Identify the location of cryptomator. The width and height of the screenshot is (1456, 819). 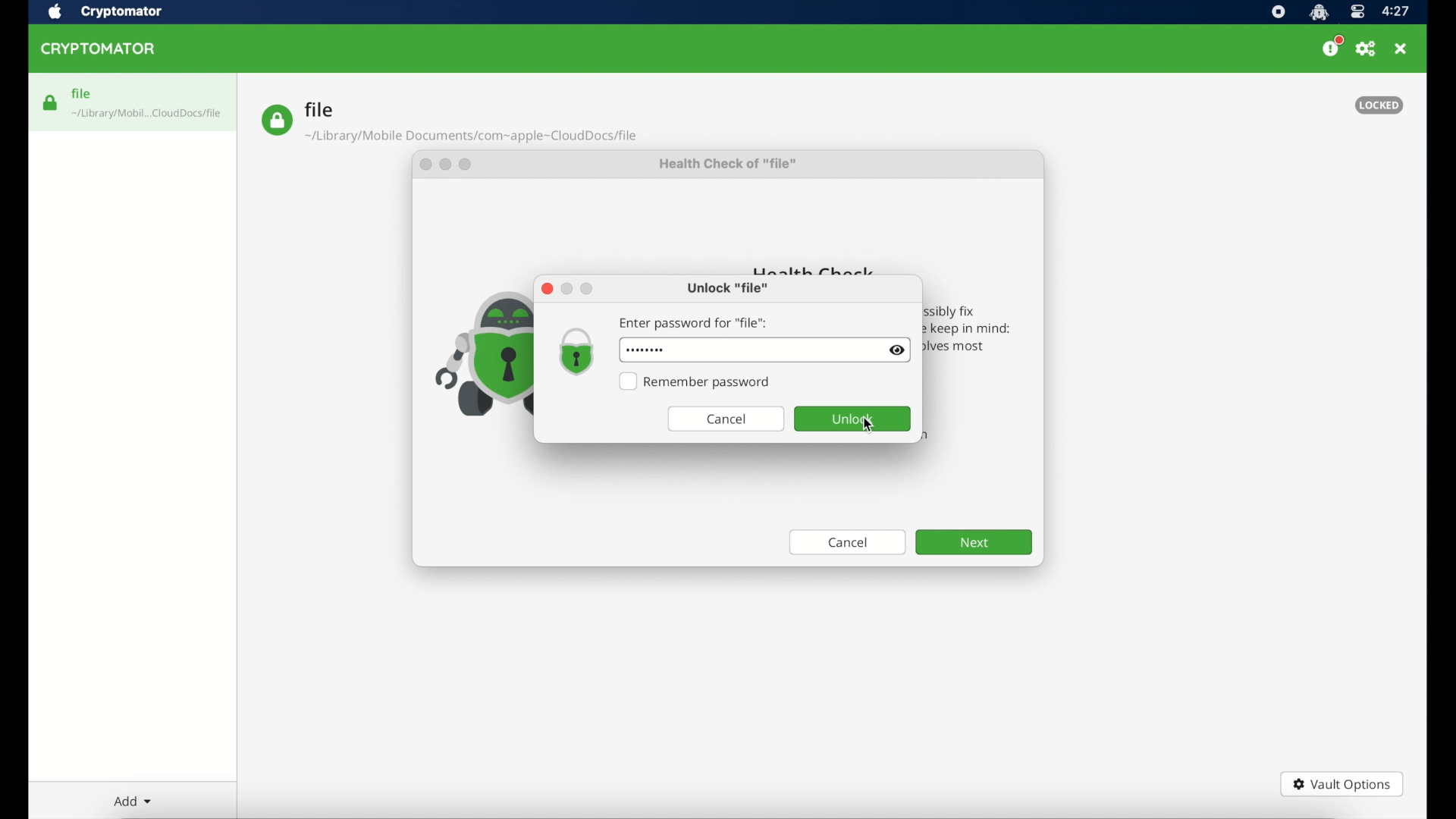
(101, 49).